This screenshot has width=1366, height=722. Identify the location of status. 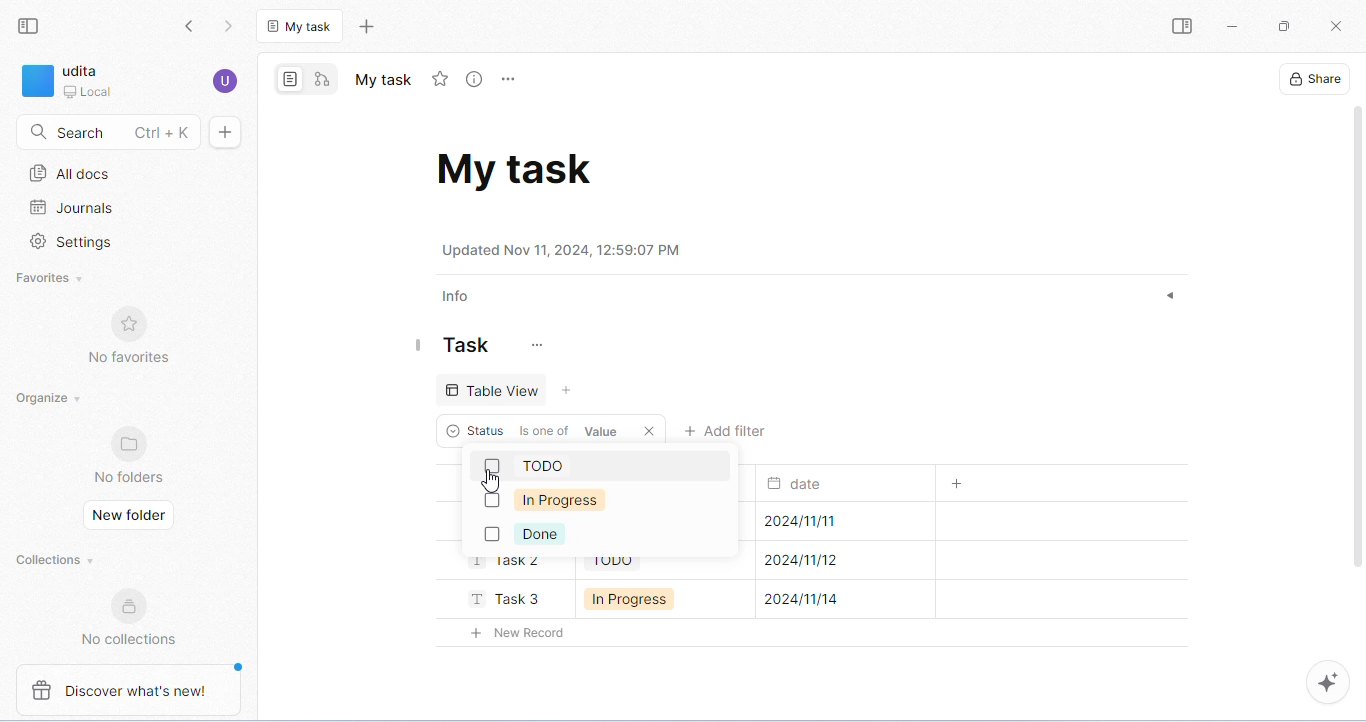
(475, 430).